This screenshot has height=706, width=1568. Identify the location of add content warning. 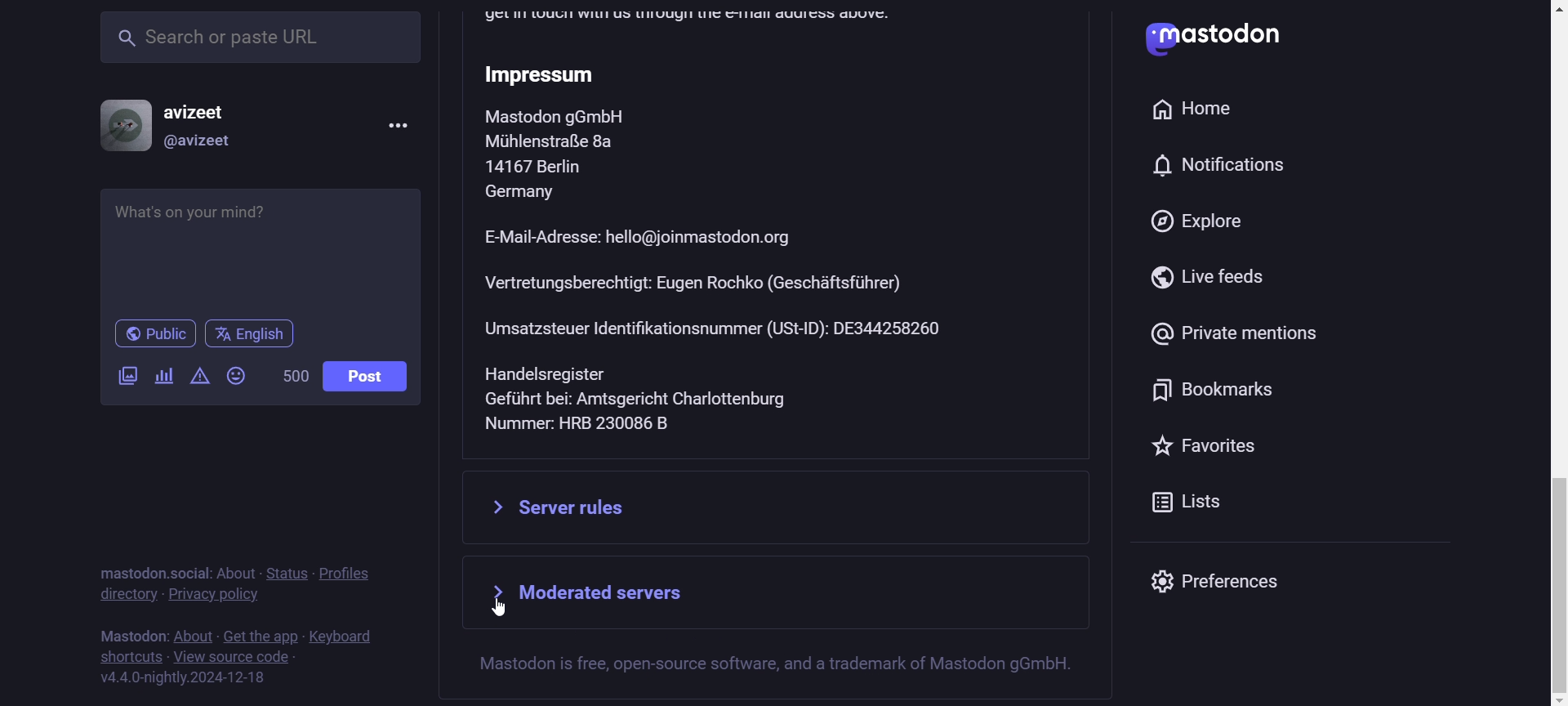
(198, 380).